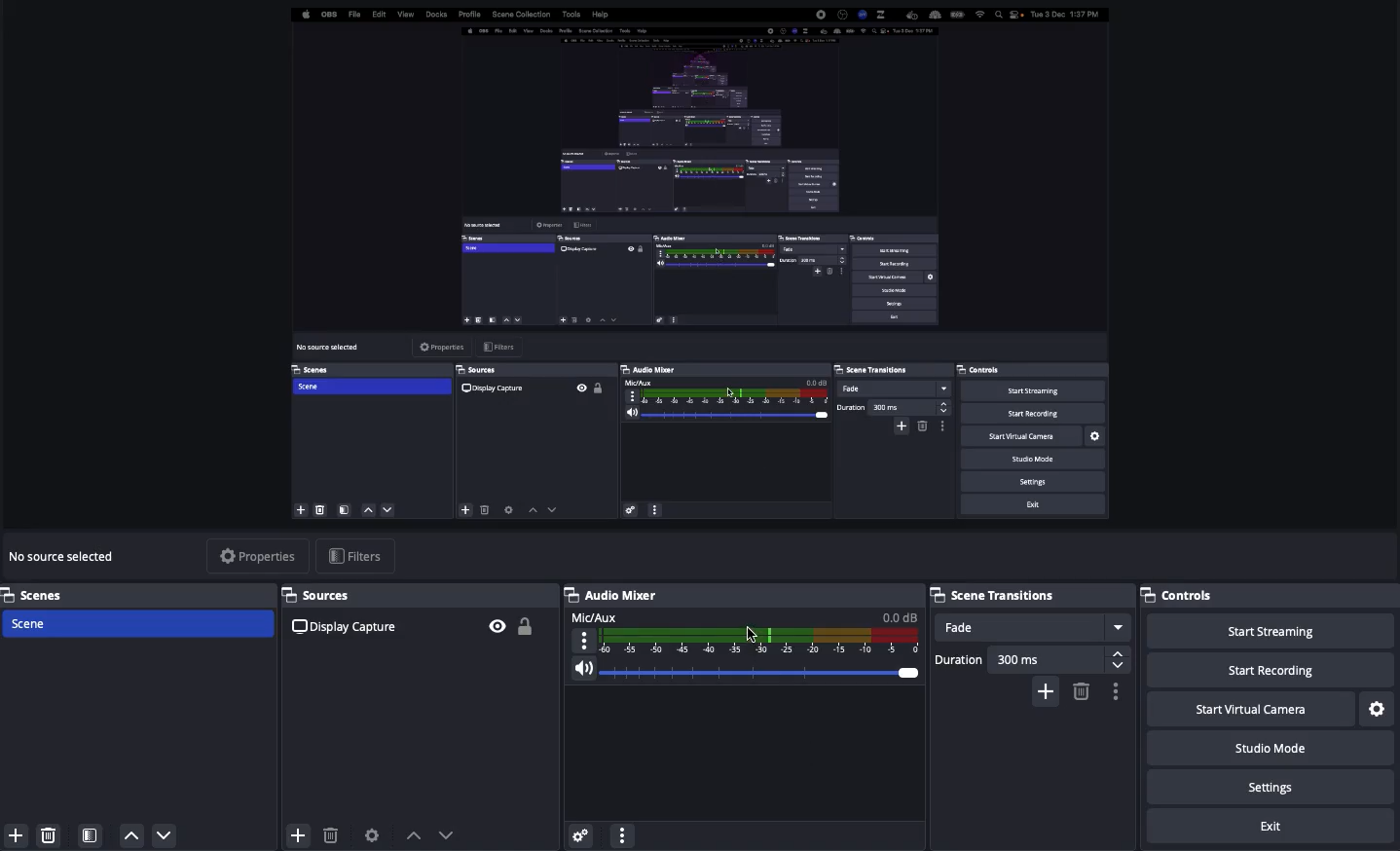  I want to click on Source preferences , so click(374, 833).